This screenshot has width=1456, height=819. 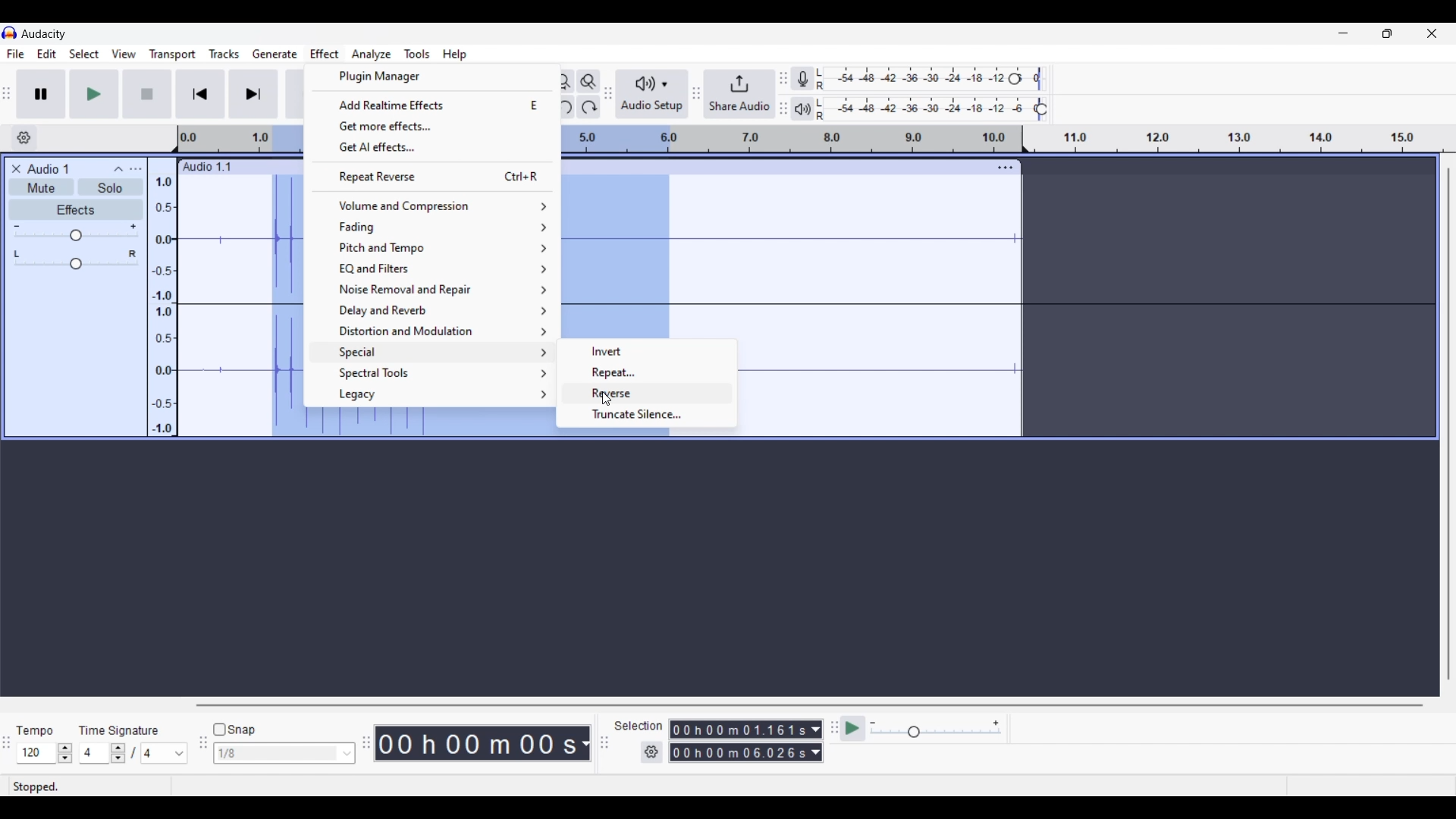 I want to click on Snap toggle, so click(x=234, y=730).